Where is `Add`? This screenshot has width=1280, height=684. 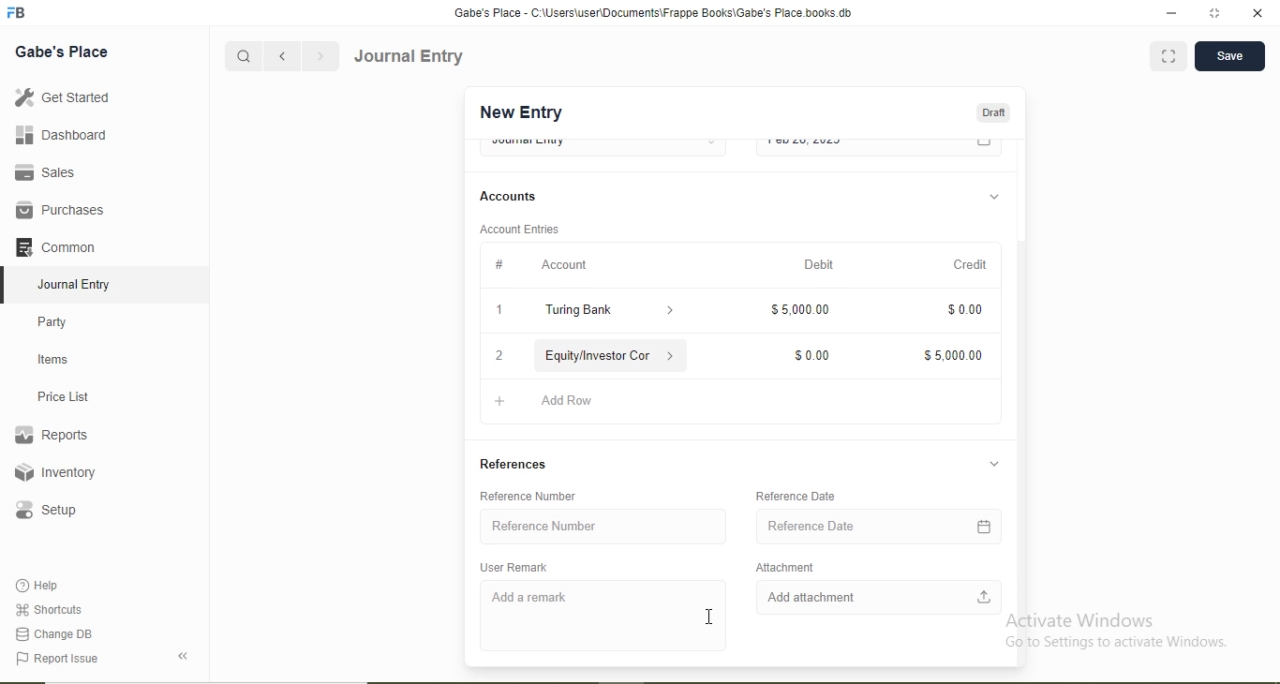
Add is located at coordinates (500, 401).